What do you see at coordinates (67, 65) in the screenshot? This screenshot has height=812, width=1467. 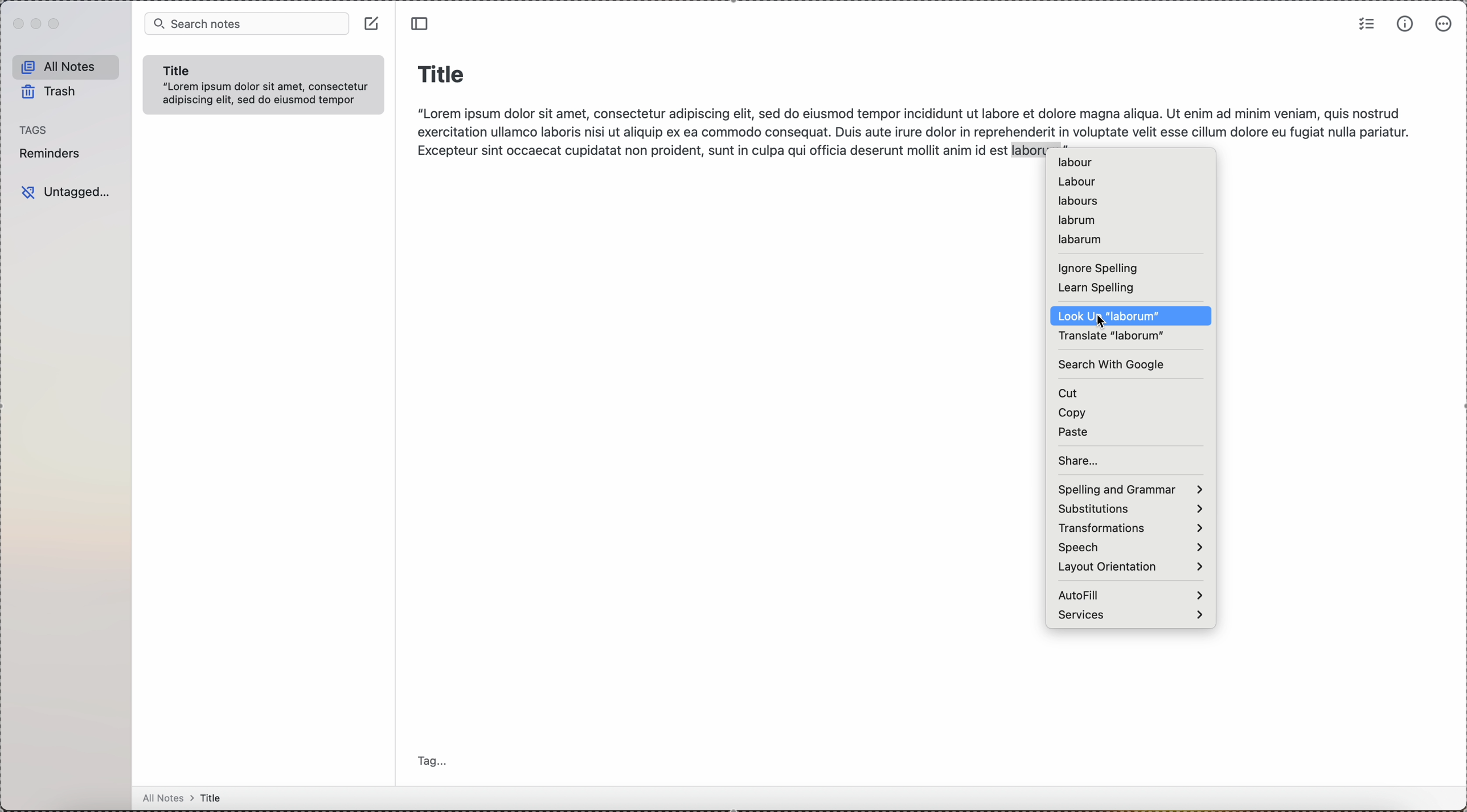 I see `all notes` at bounding box center [67, 65].